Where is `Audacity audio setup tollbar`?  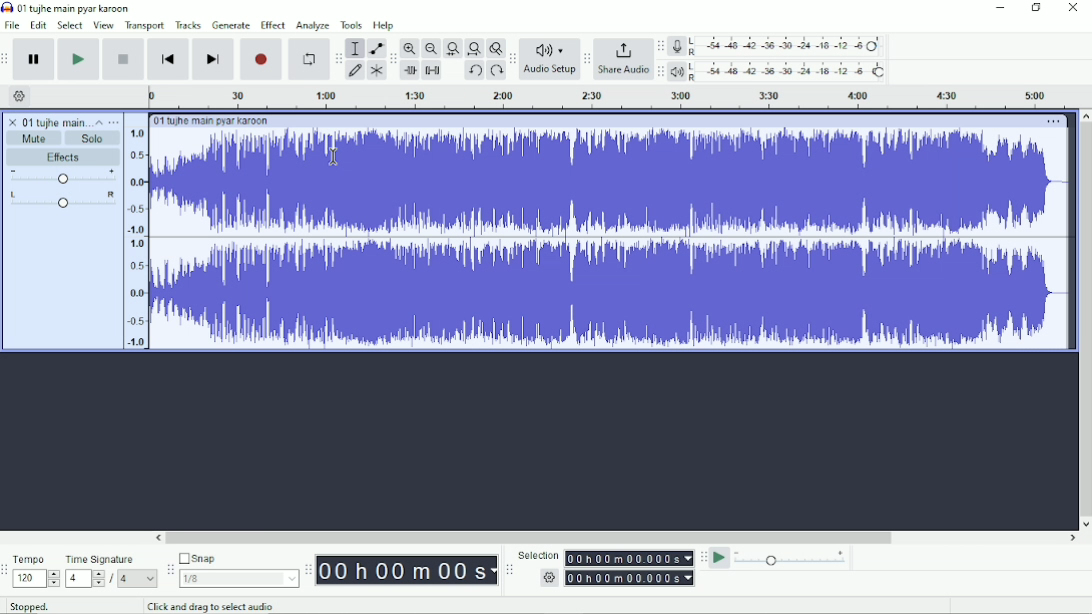 Audacity audio setup tollbar is located at coordinates (511, 59).